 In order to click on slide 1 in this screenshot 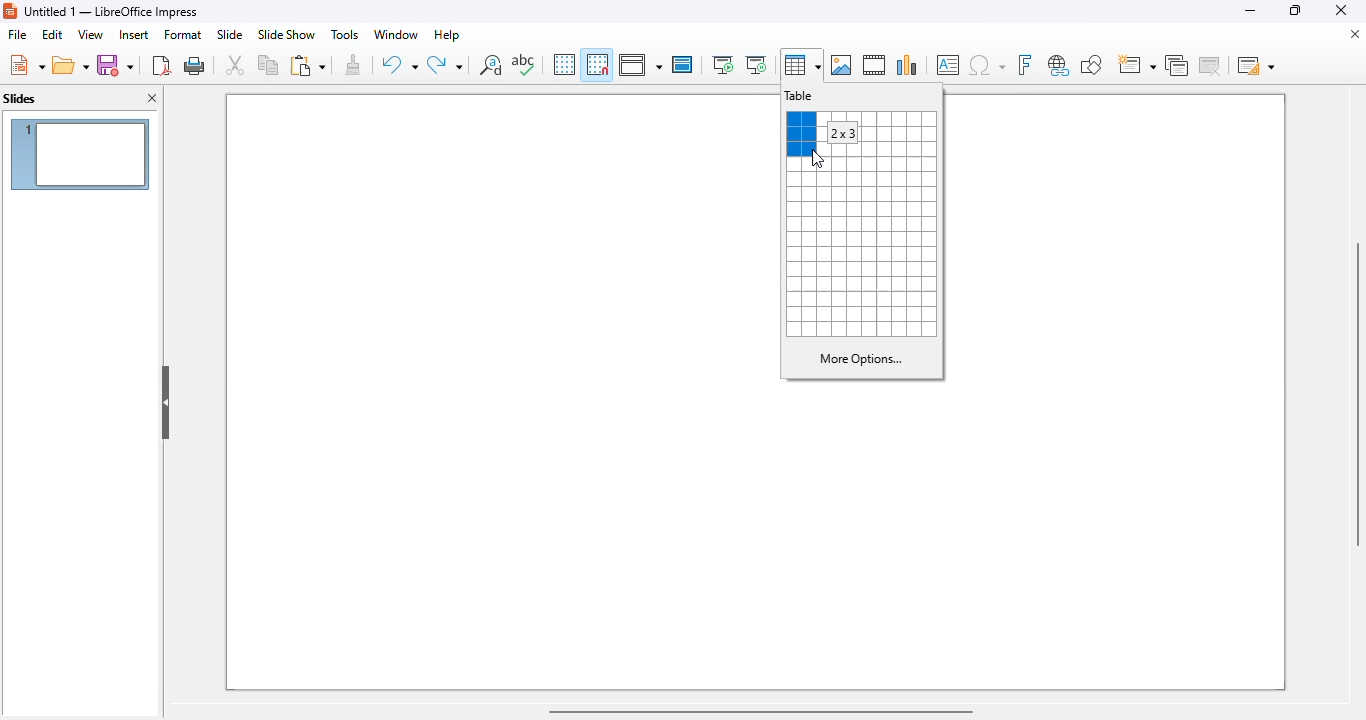, I will do `click(756, 539)`.